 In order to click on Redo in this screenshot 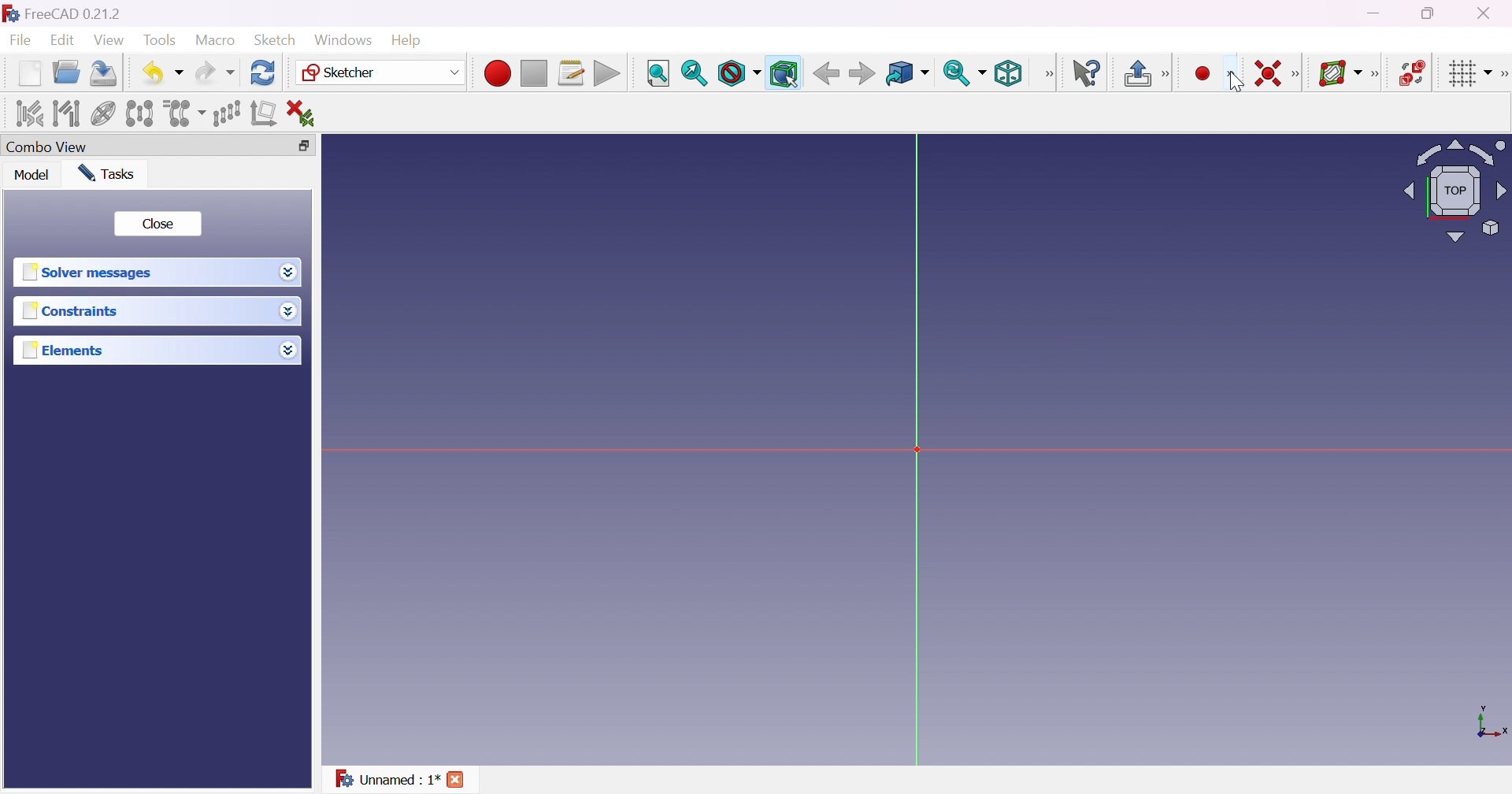, I will do `click(215, 72)`.